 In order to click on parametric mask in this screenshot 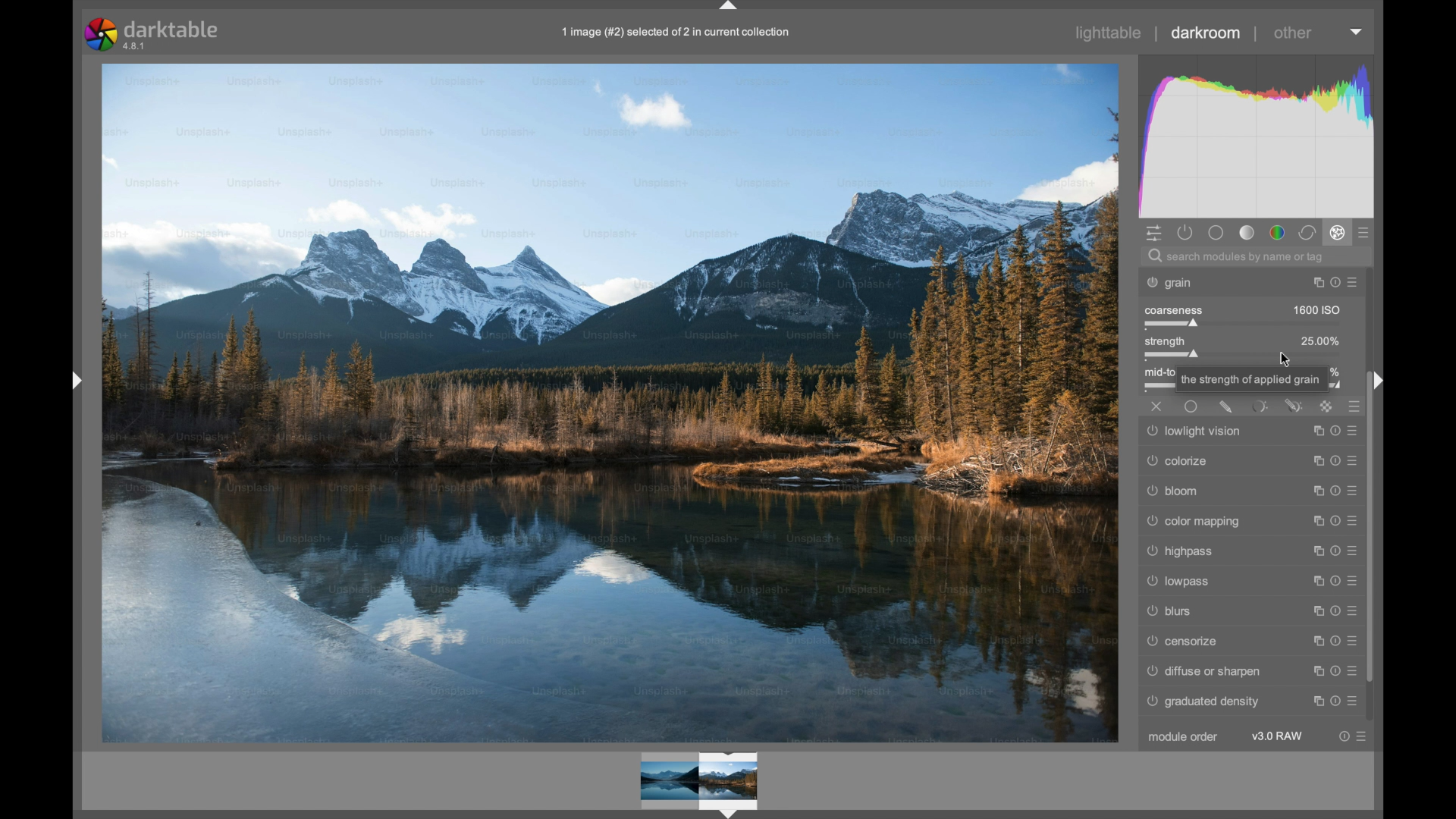, I will do `click(1259, 406)`.